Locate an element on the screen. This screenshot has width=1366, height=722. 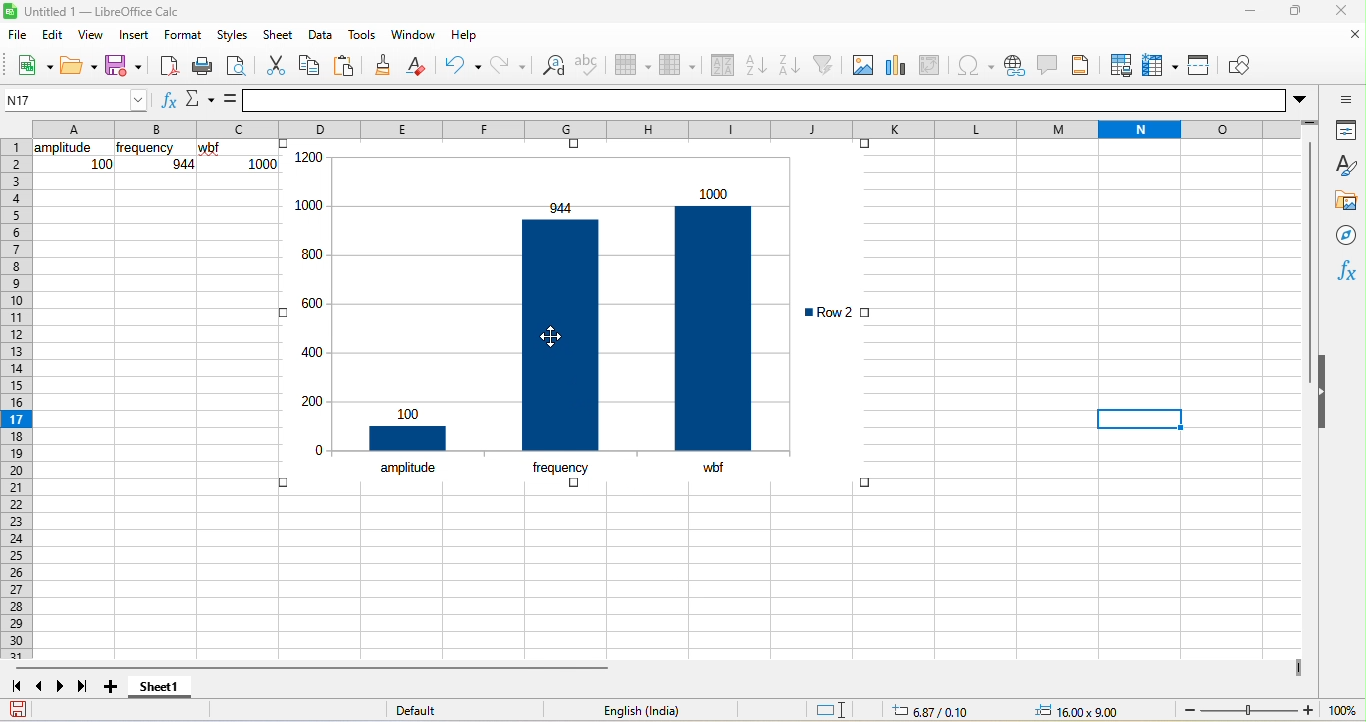
header and footer is located at coordinates (1086, 68).